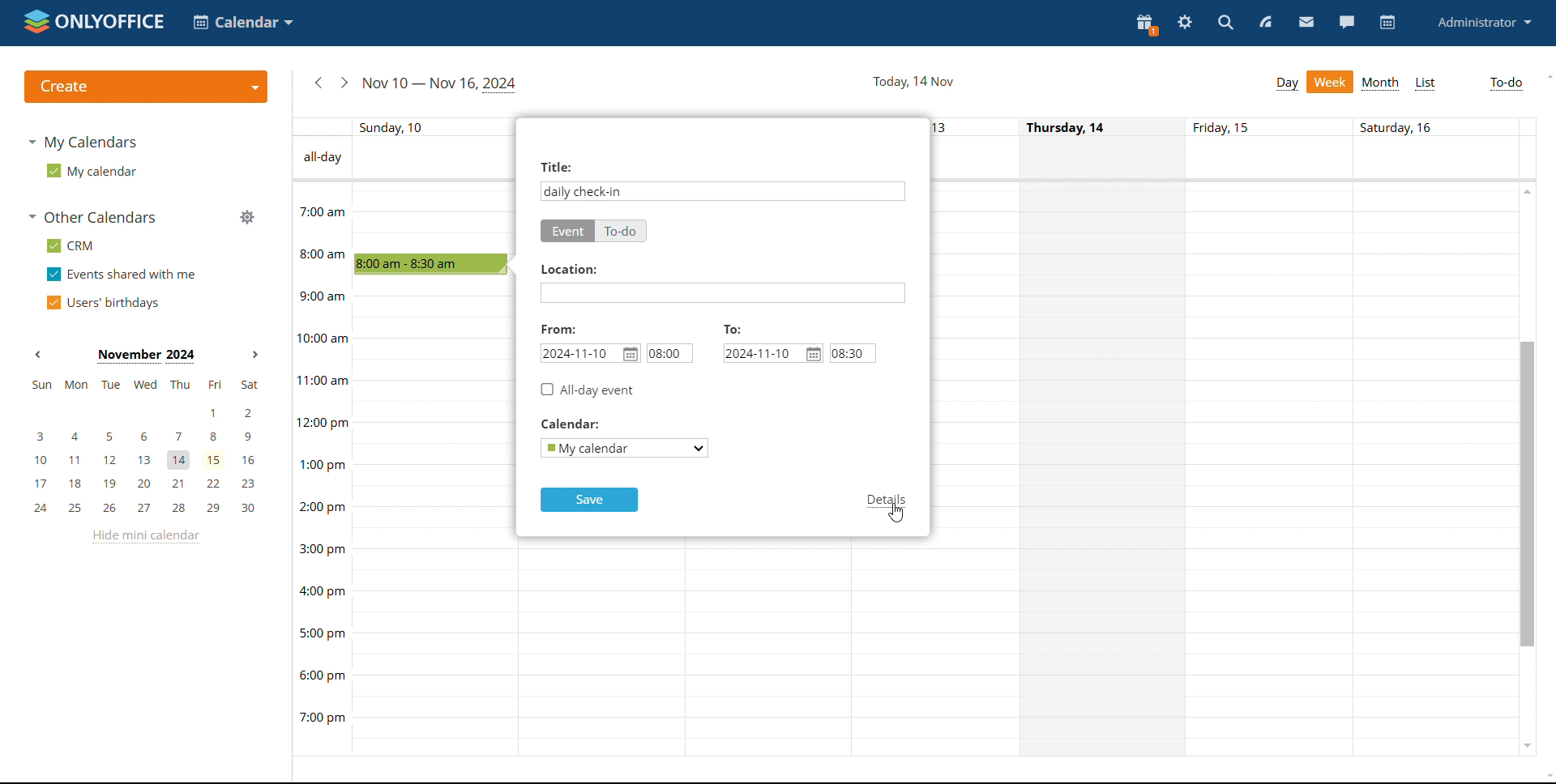 The image size is (1556, 784). What do you see at coordinates (912, 126) in the screenshot?
I see `indiviual date` at bounding box center [912, 126].